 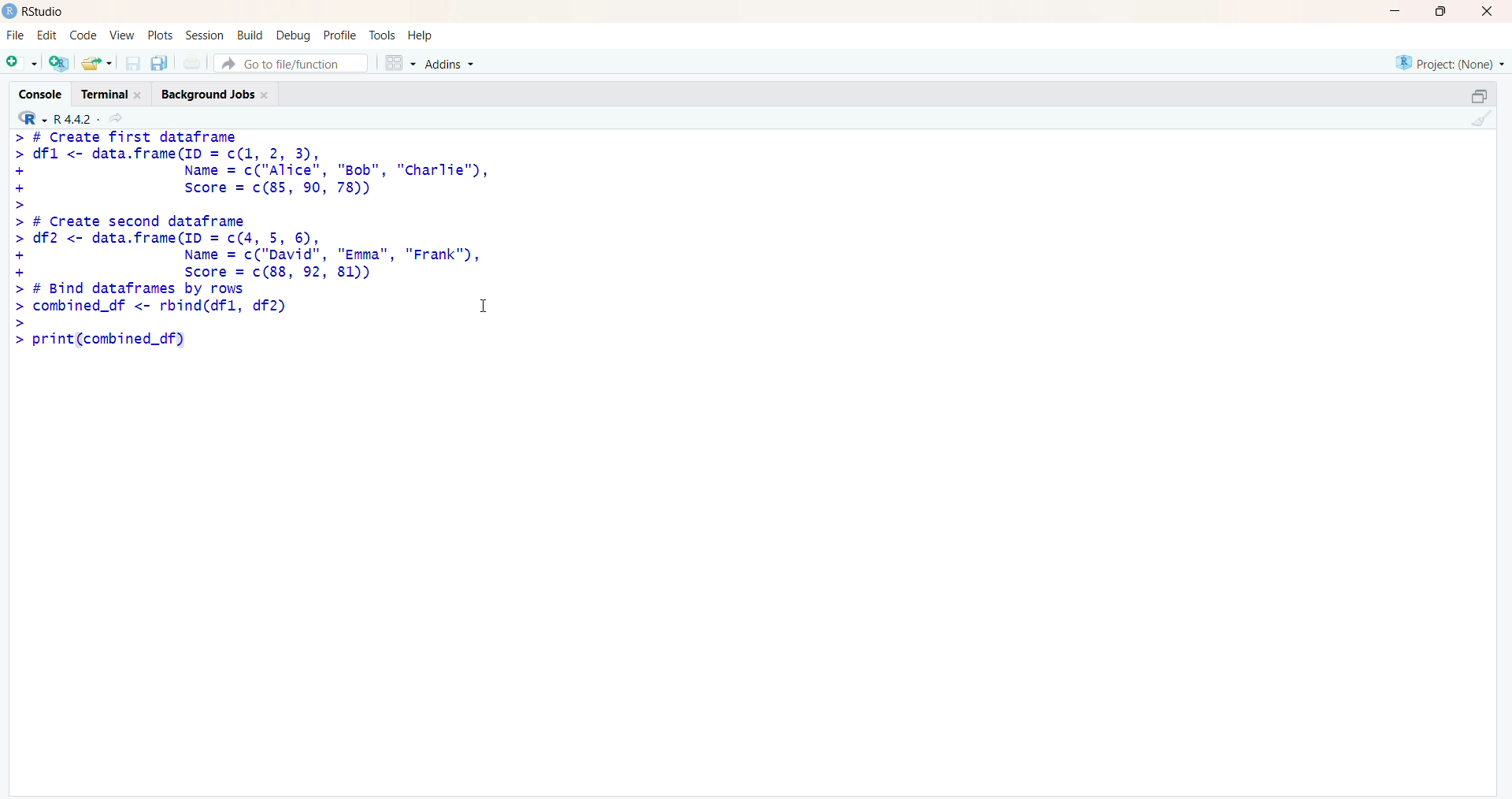 I want to click on Plots, so click(x=159, y=35).